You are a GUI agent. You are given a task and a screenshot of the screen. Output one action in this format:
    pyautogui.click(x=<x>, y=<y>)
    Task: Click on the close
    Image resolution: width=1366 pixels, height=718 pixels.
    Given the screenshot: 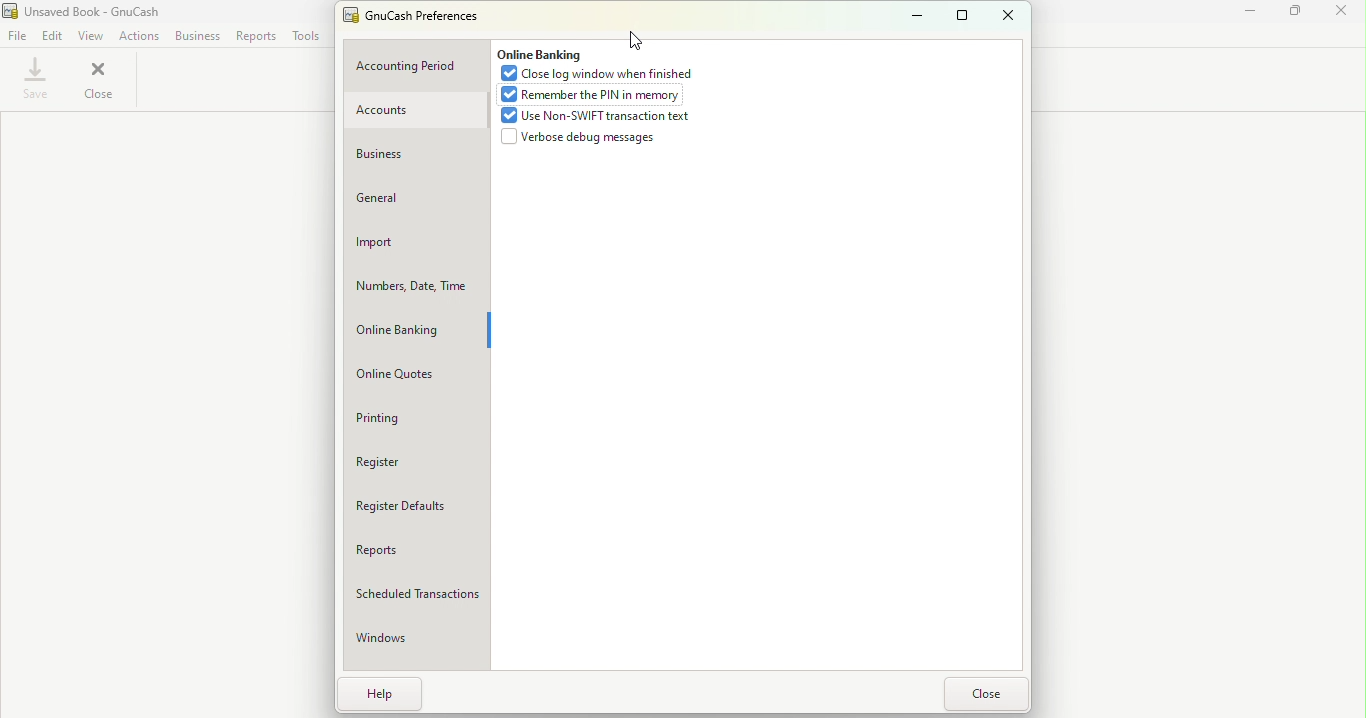 What is the action you would take?
    pyautogui.click(x=1008, y=15)
    